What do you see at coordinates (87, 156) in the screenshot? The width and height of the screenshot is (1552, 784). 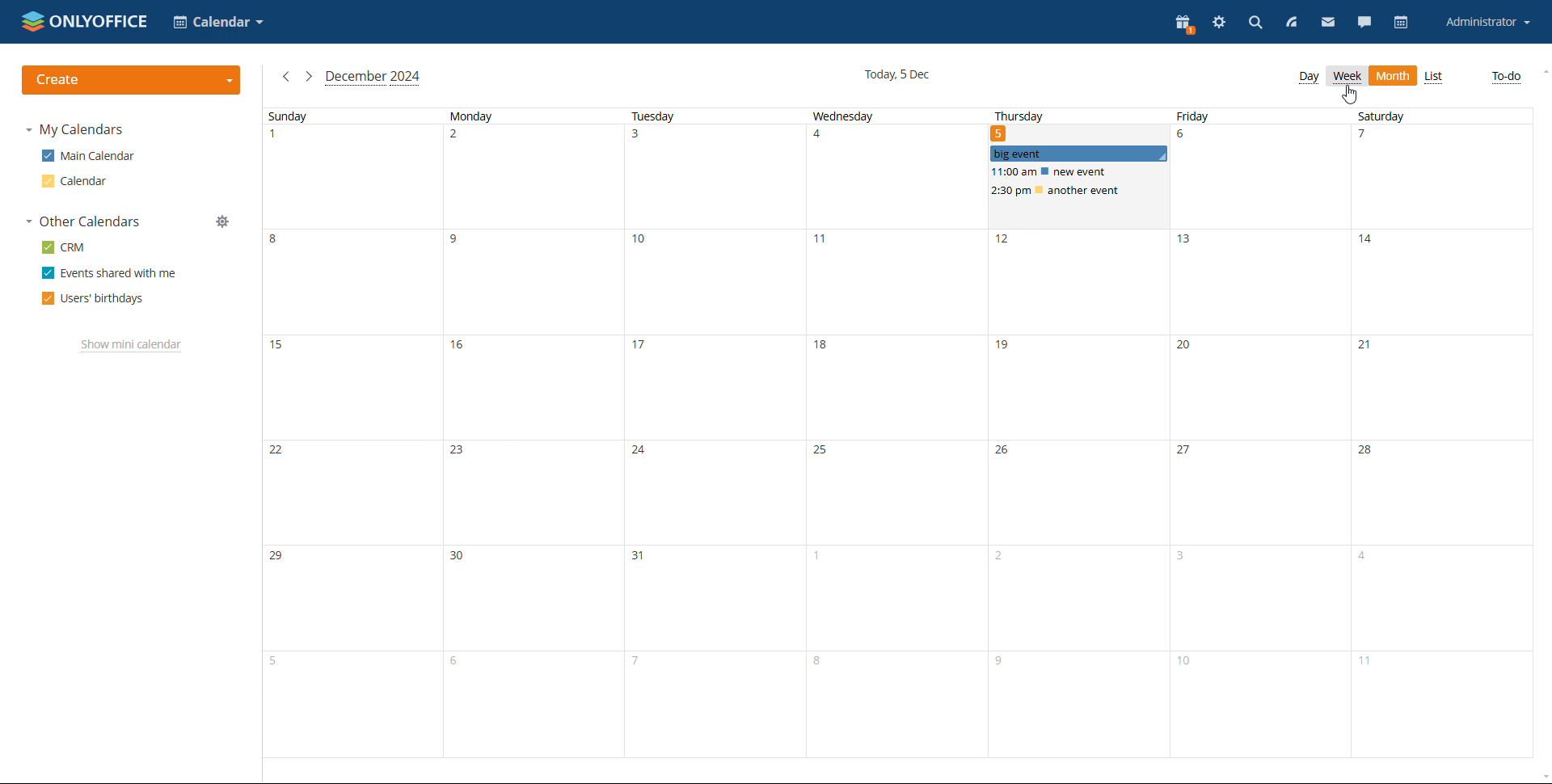 I see `main calendar` at bounding box center [87, 156].